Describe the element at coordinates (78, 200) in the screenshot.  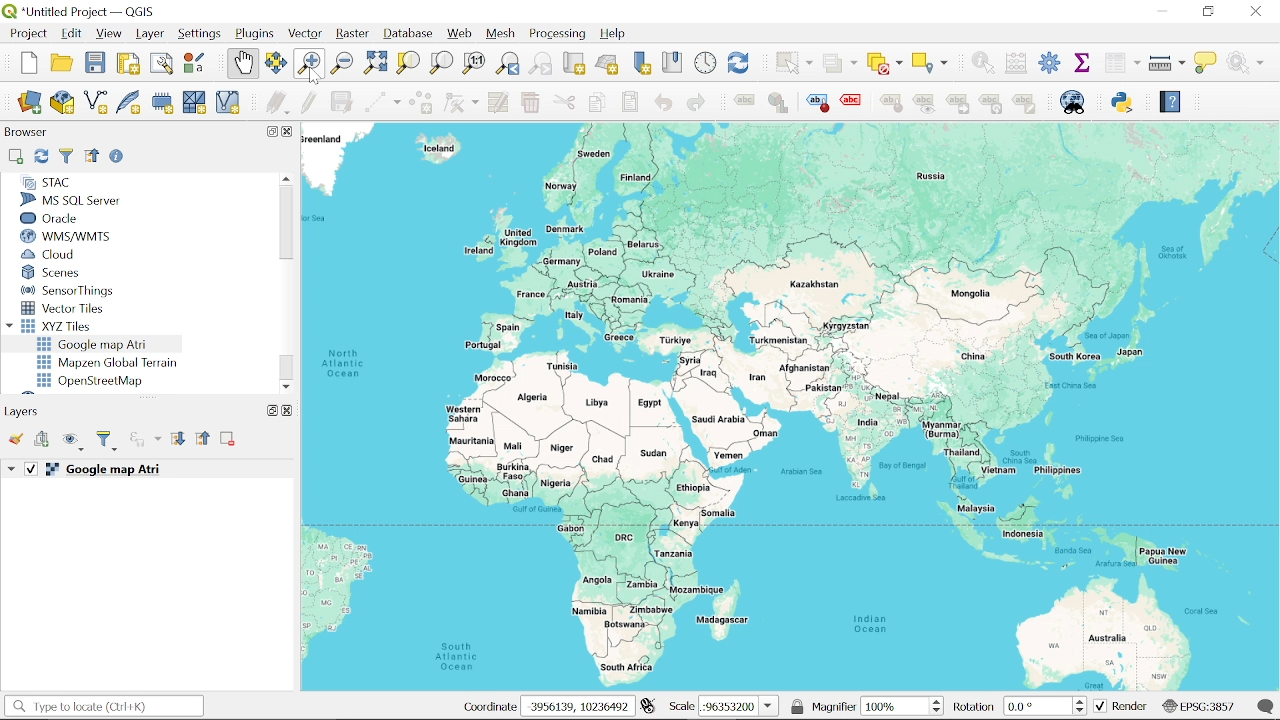
I see `MS SQL Server` at that location.